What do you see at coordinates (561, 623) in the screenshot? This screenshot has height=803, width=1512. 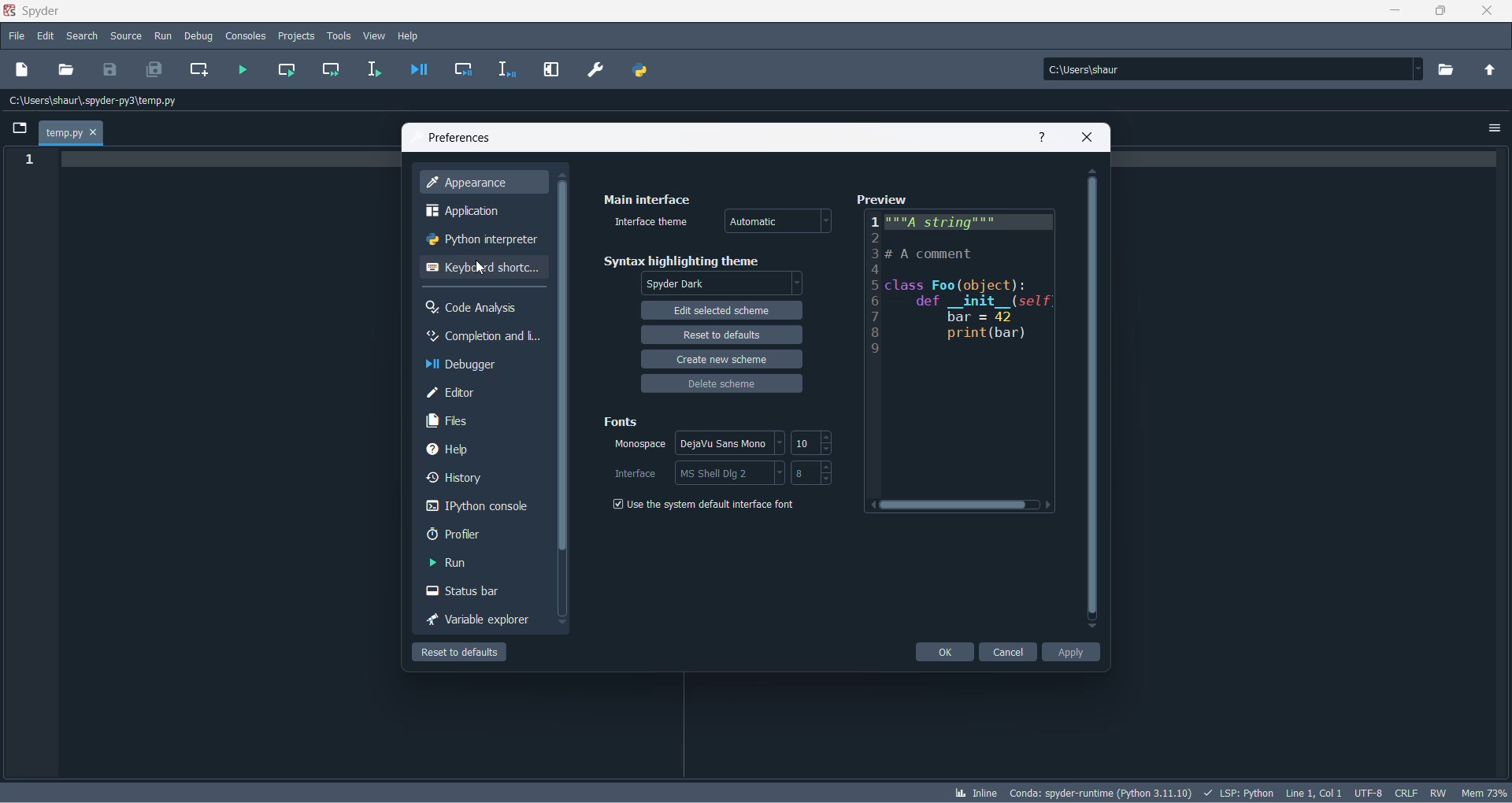 I see `move down` at bounding box center [561, 623].